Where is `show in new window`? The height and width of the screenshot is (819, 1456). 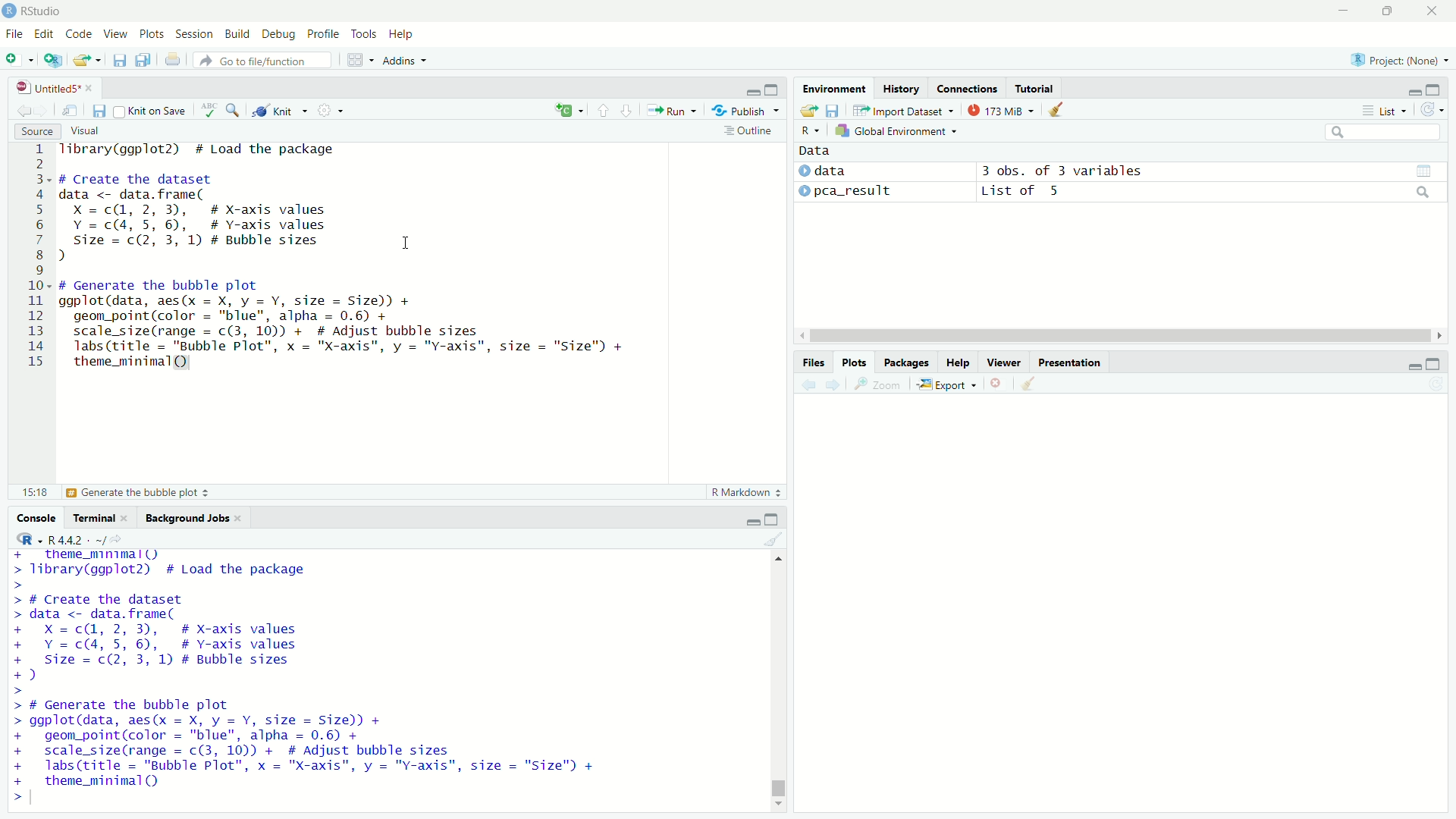
show in new window is located at coordinates (71, 111).